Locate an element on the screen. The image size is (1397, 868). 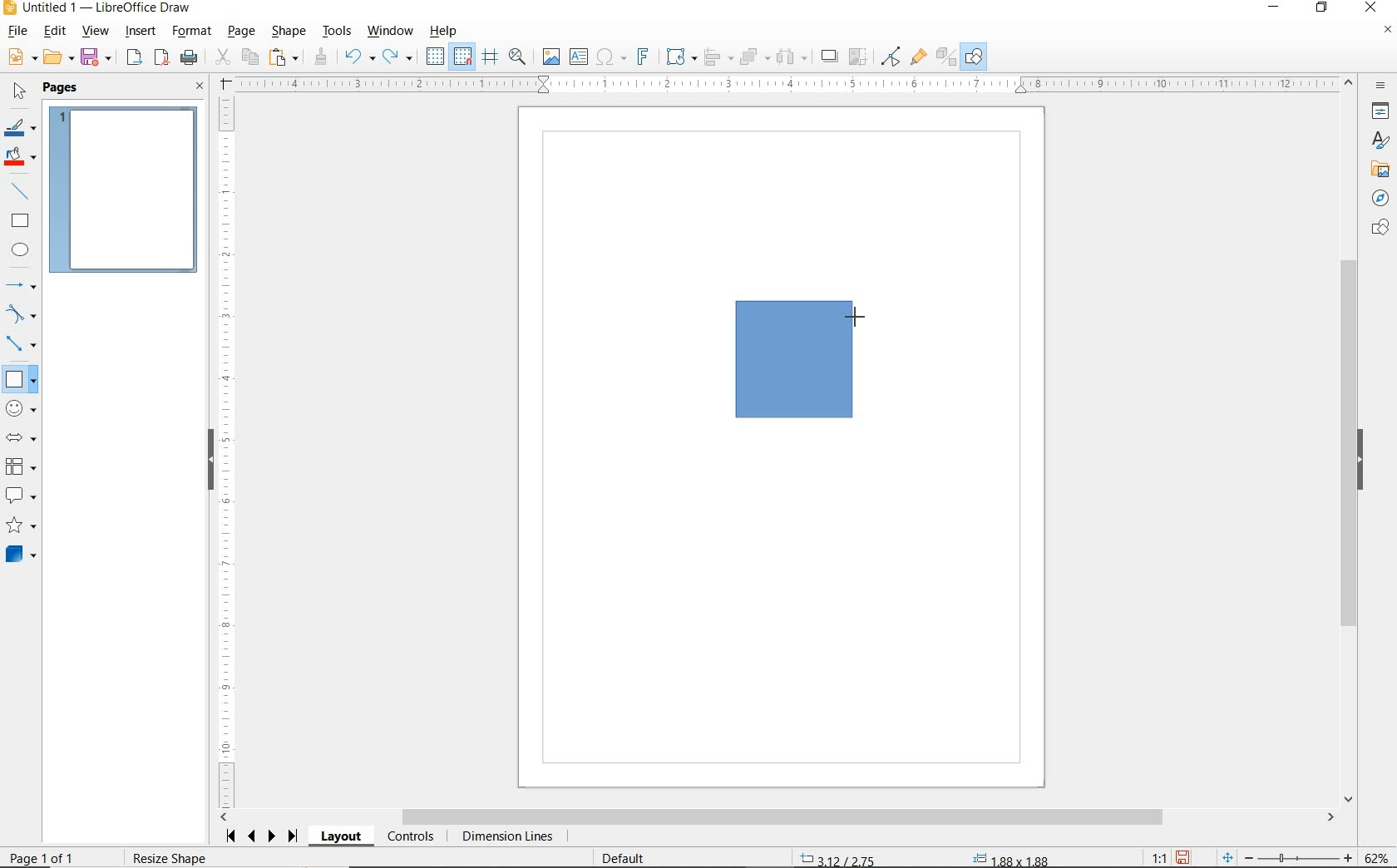
3D SHAPES is located at coordinates (21, 555).